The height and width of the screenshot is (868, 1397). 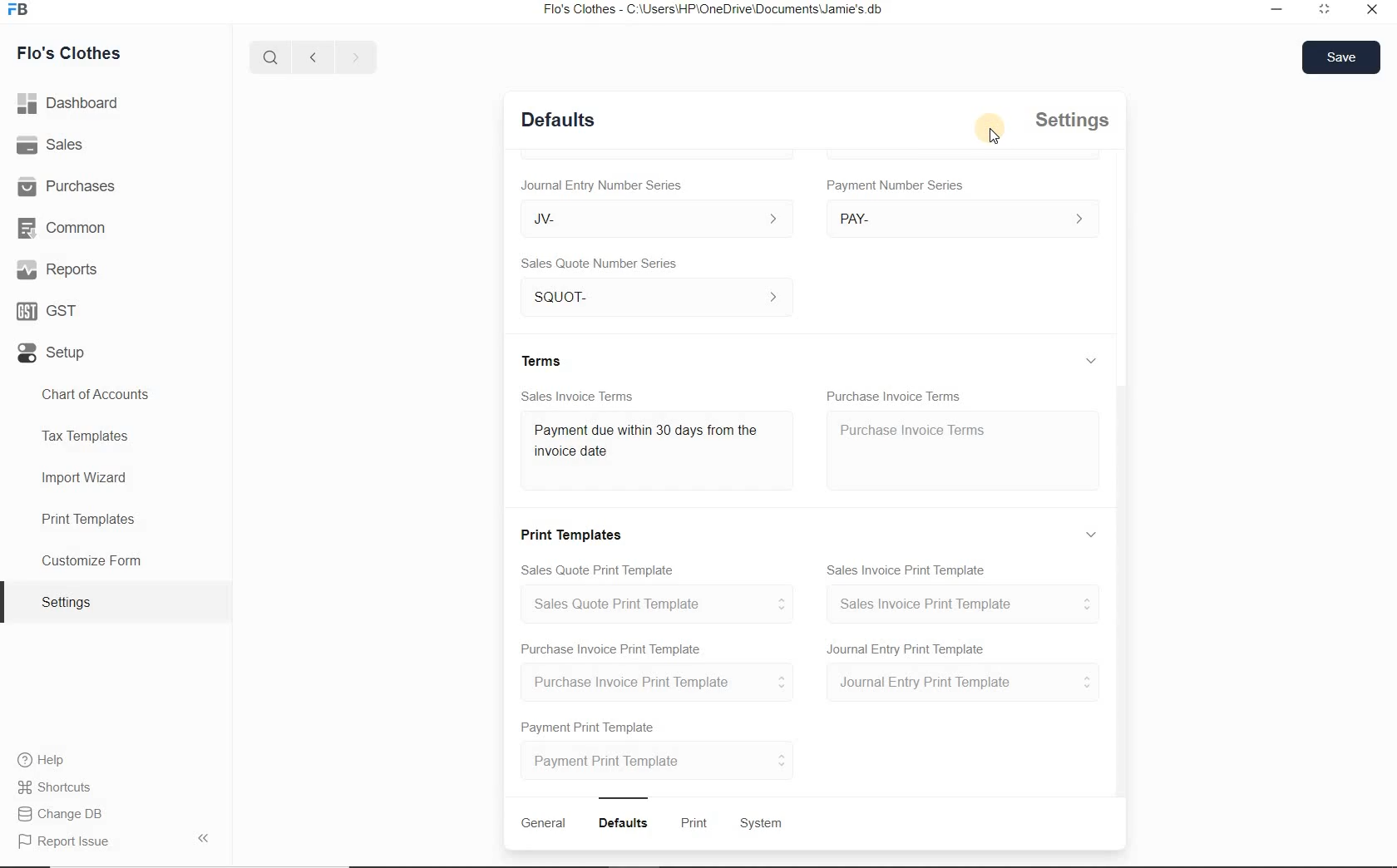 What do you see at coordinates (960, 683) in the screenshot?
I see `Journal Entry Print Template` at bounding box center [960, 683].